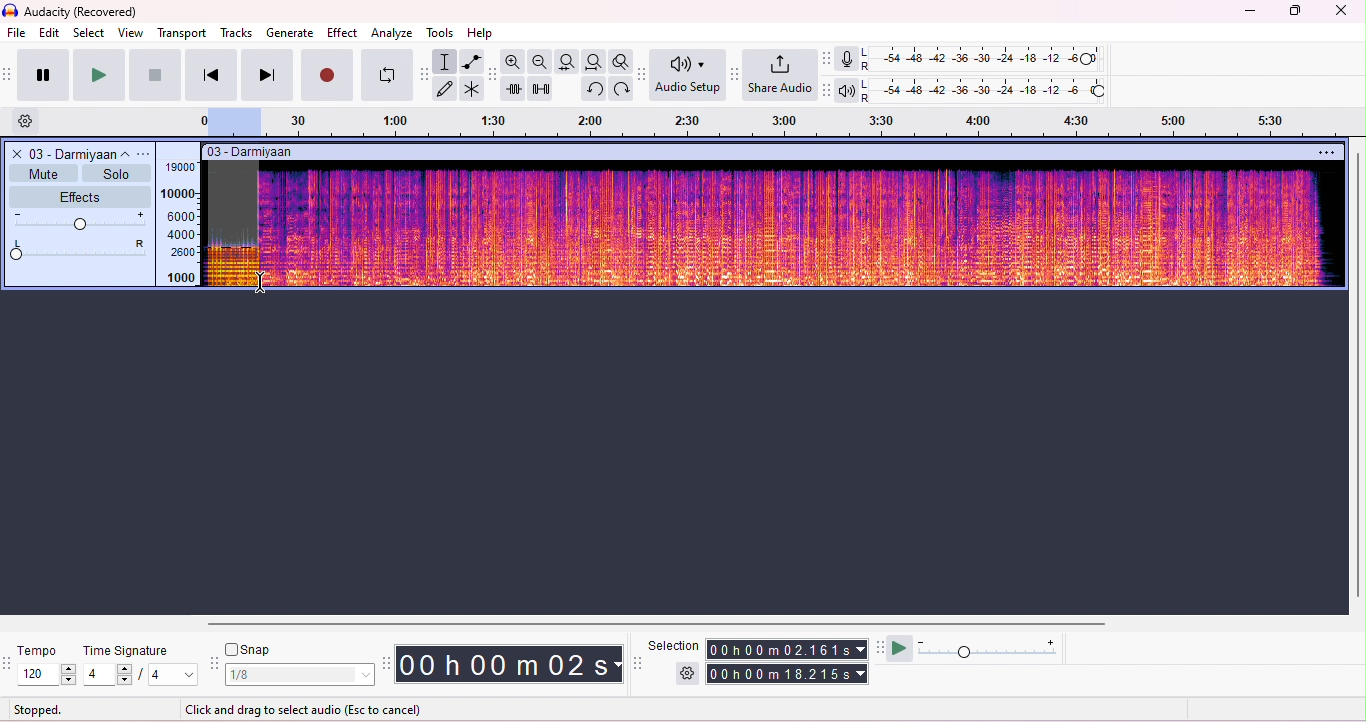 The width and height of the screenshot is (1366, 722). I want to click on edit toolbar, so click(493, 74).